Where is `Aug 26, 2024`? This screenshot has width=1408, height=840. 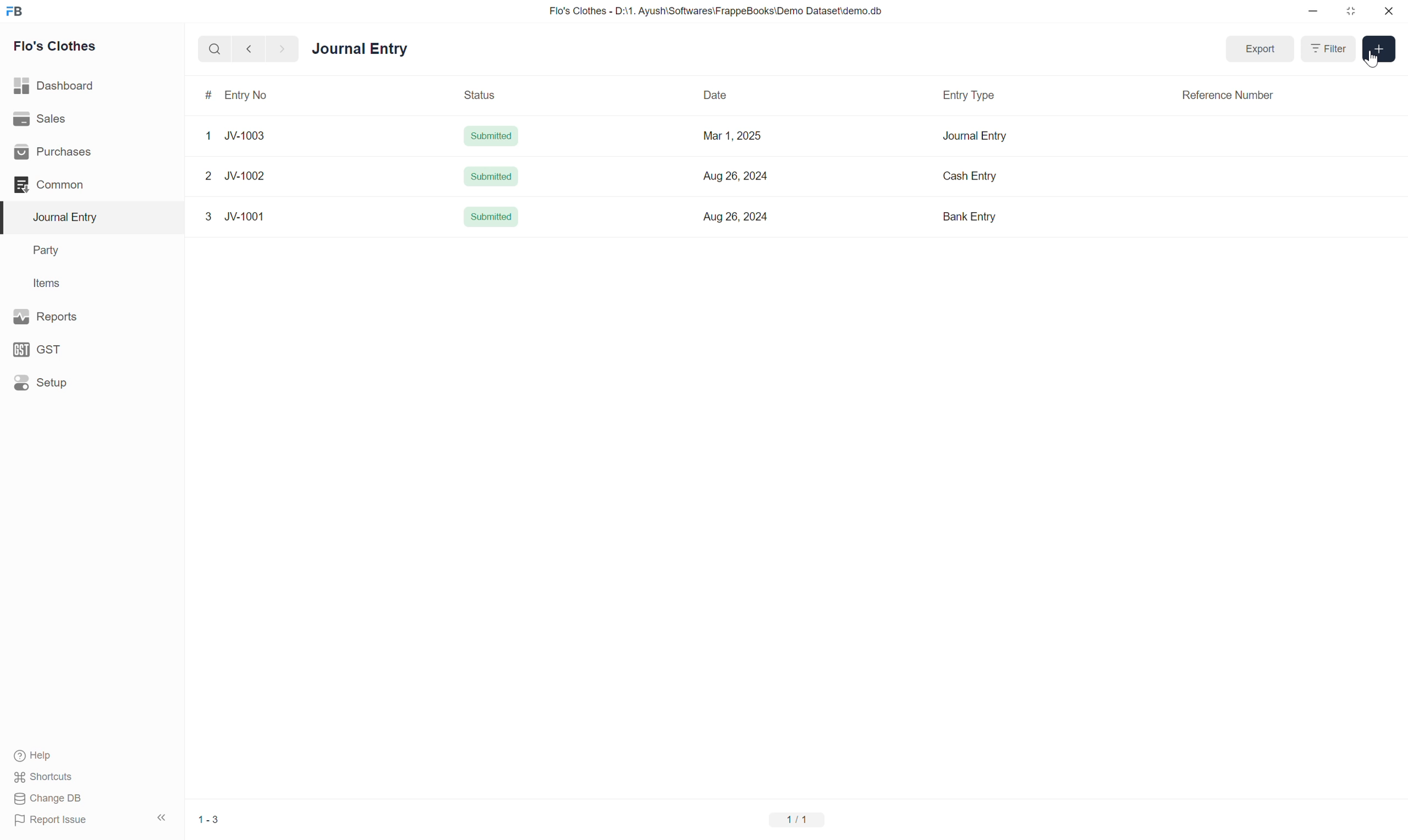 Aug 26, 2024 is located at coordinates (737, 176).